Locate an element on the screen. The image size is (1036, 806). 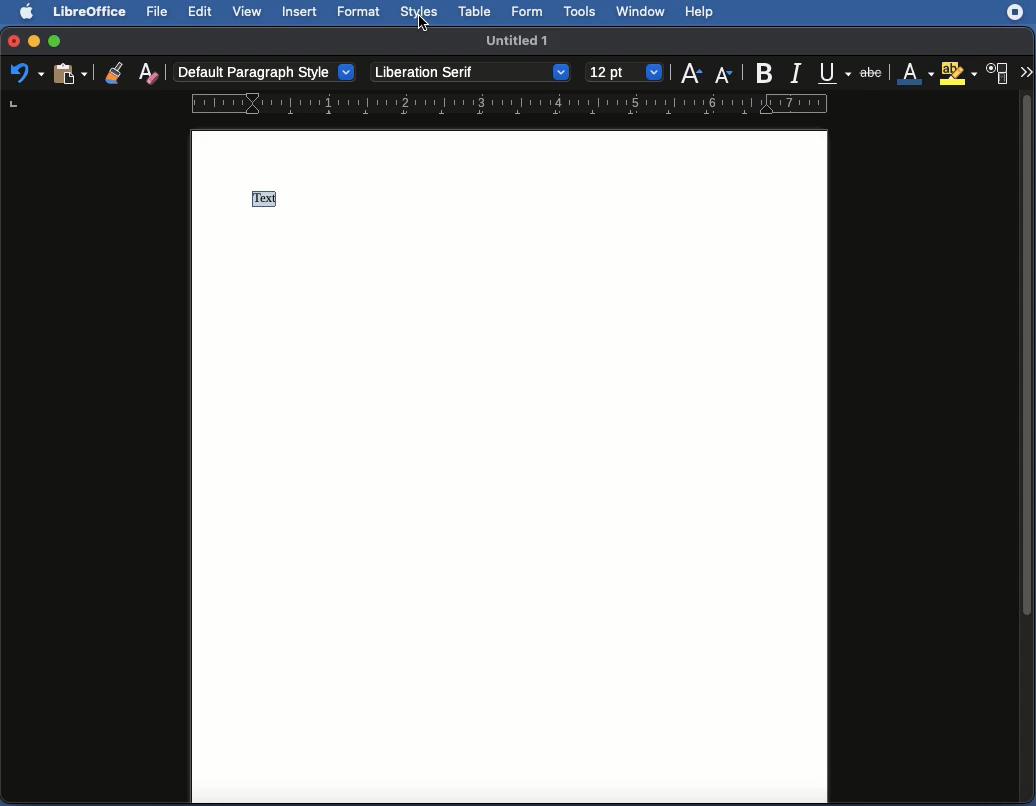
Extension is located at coordinates (1015, 13).